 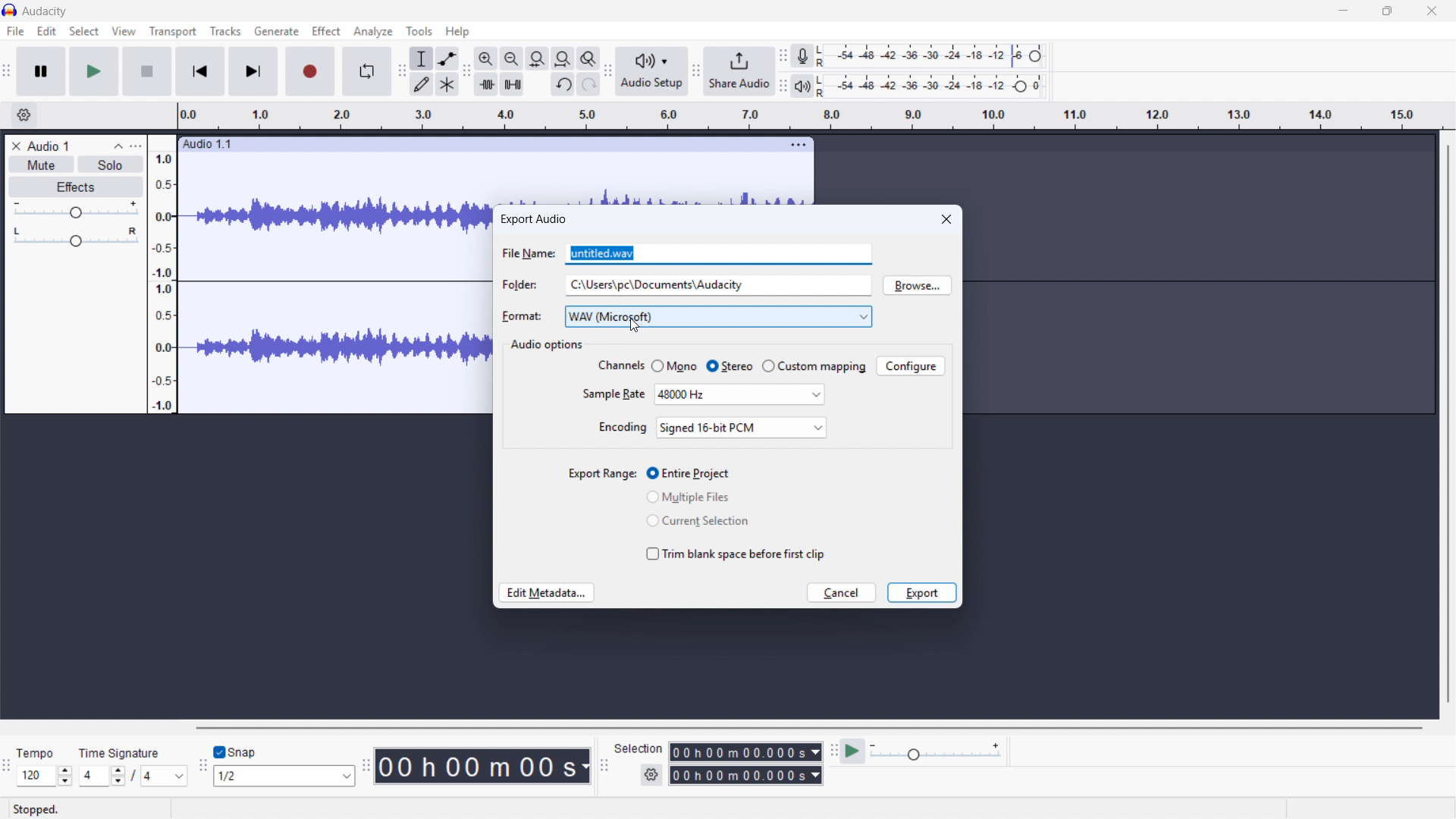 What do you see at coordinates (71, 145) in the screenshot?
I see `Track title ` at bounding box center [71, 145].